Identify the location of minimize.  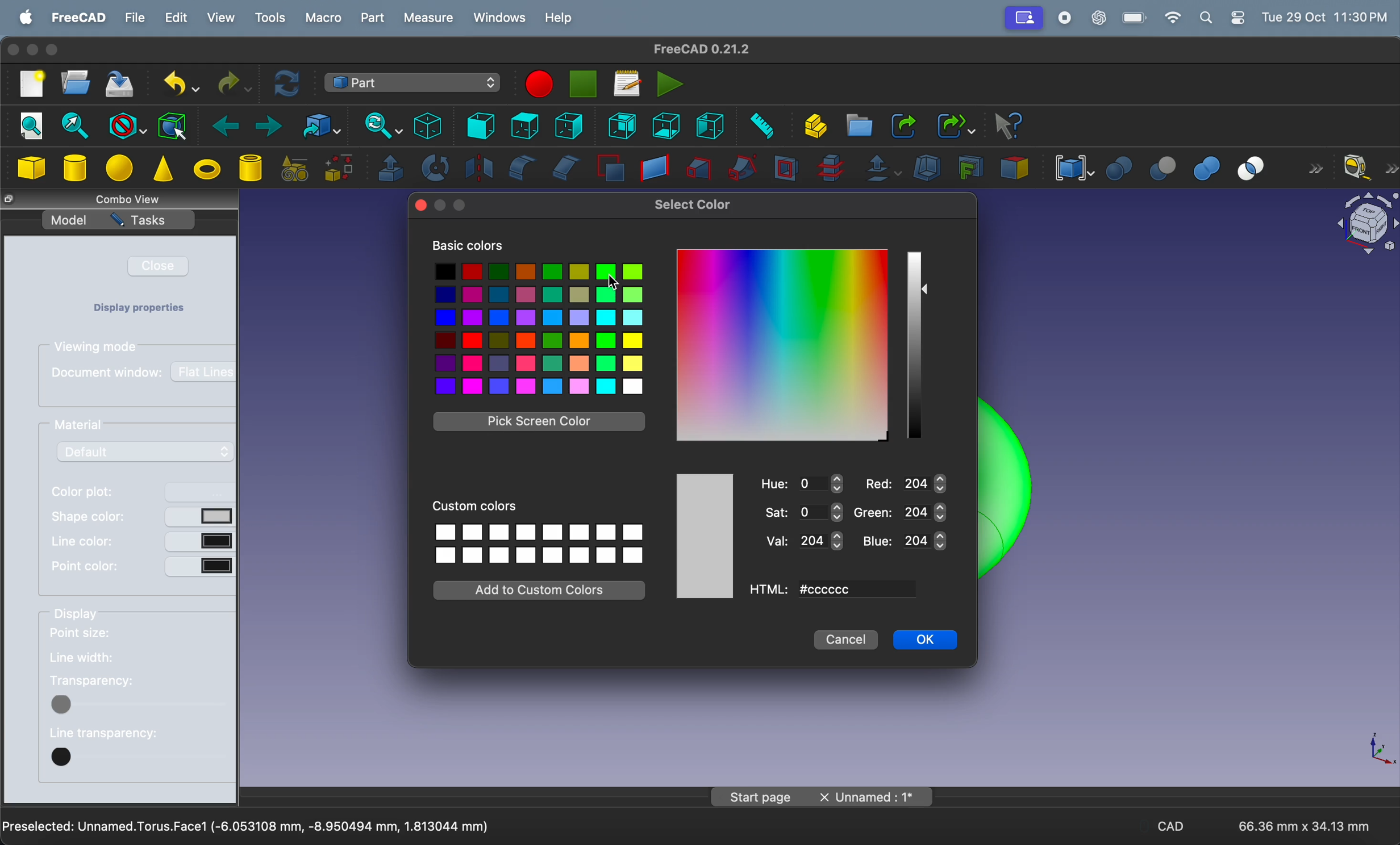
(33, 49).